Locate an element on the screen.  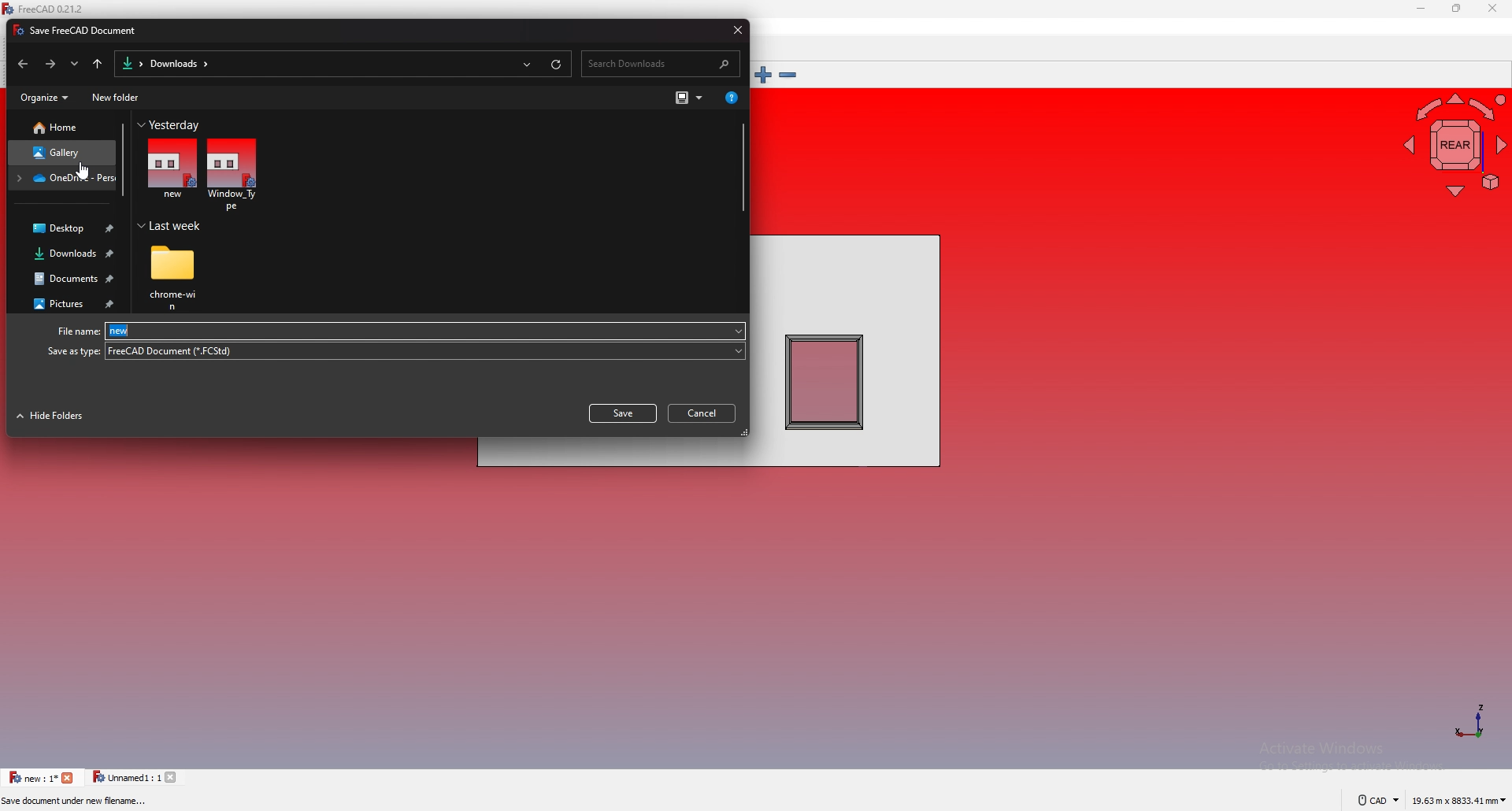
file name is located at coordinates (426, 331).